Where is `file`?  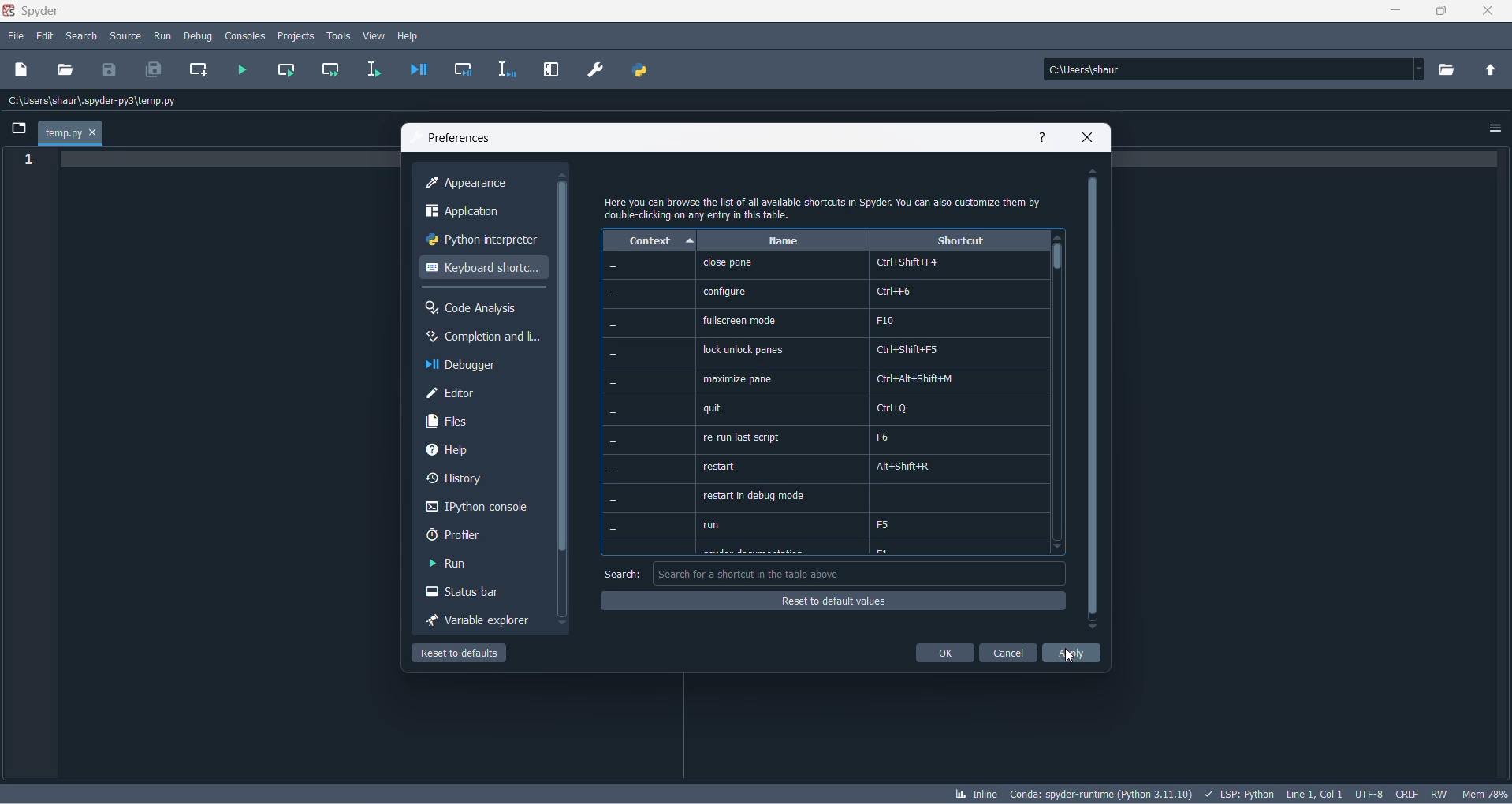 file is located at coordinates (15, 37).